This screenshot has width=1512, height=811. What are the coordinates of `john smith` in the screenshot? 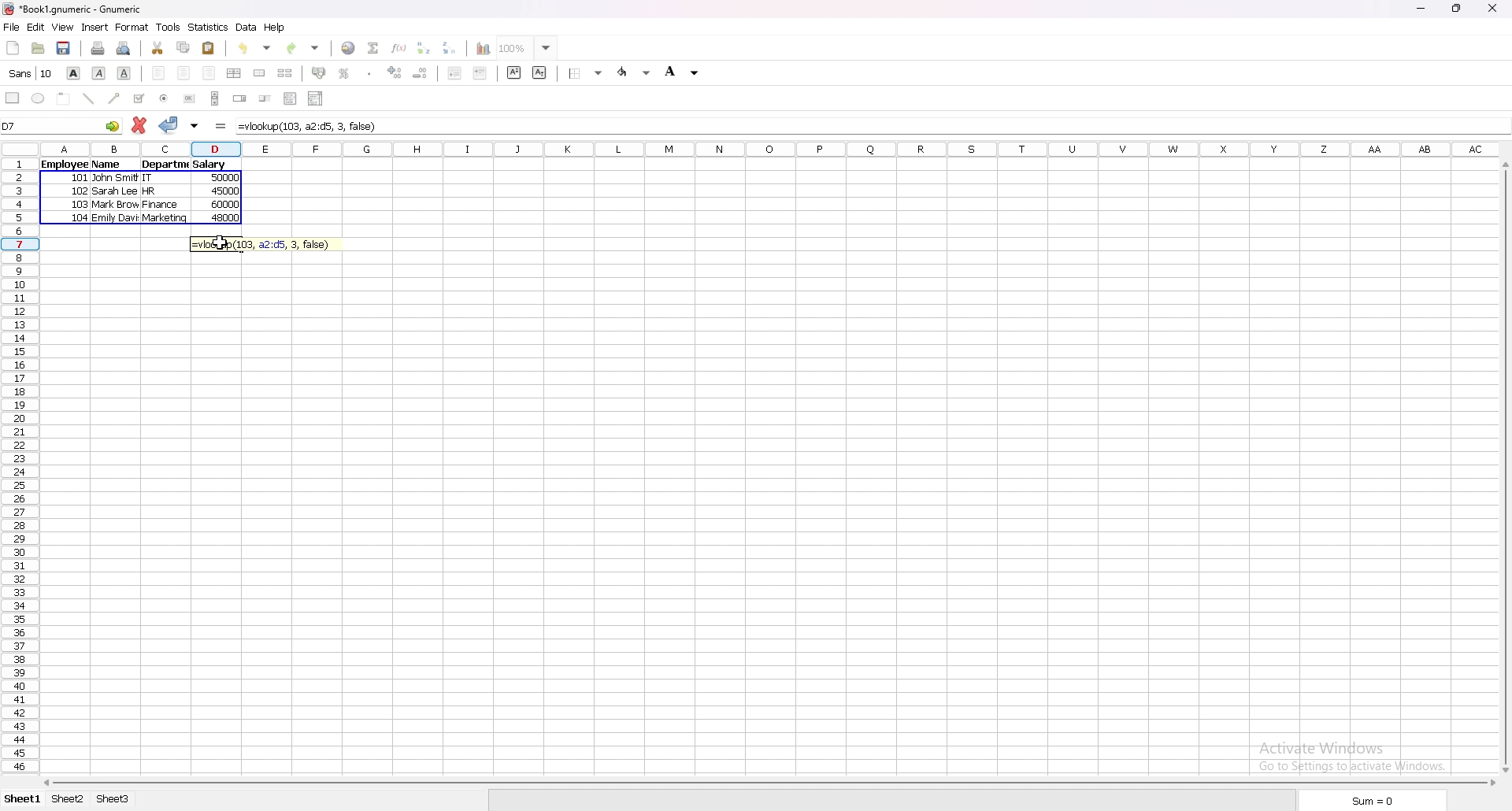 It's located at (114, 179).